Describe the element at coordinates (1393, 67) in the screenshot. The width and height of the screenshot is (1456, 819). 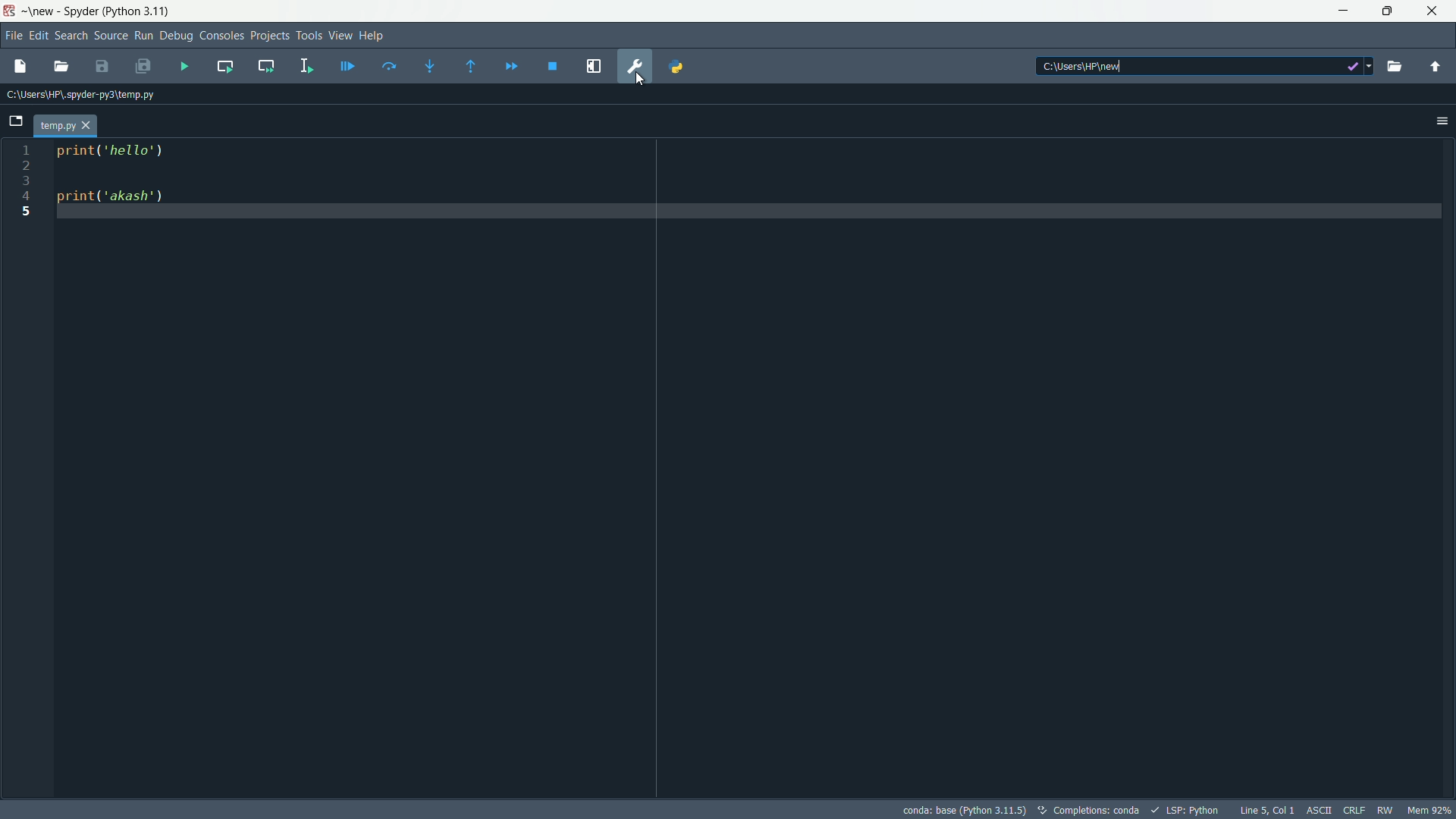
I see `browse directory` at that location.